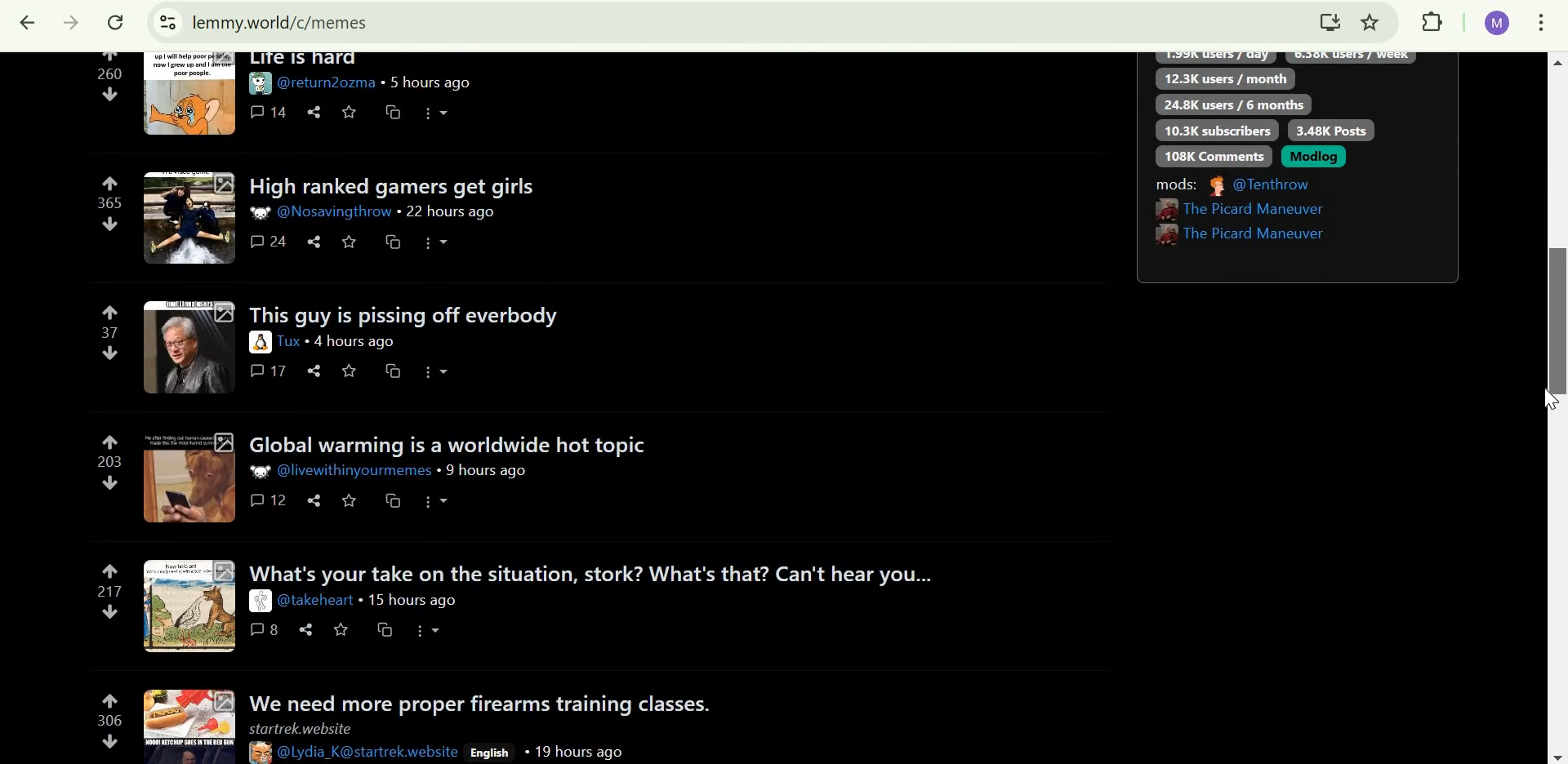 The height and width of the screenshot is (764, 1568). I want to click on picture, so click(1214, 186).